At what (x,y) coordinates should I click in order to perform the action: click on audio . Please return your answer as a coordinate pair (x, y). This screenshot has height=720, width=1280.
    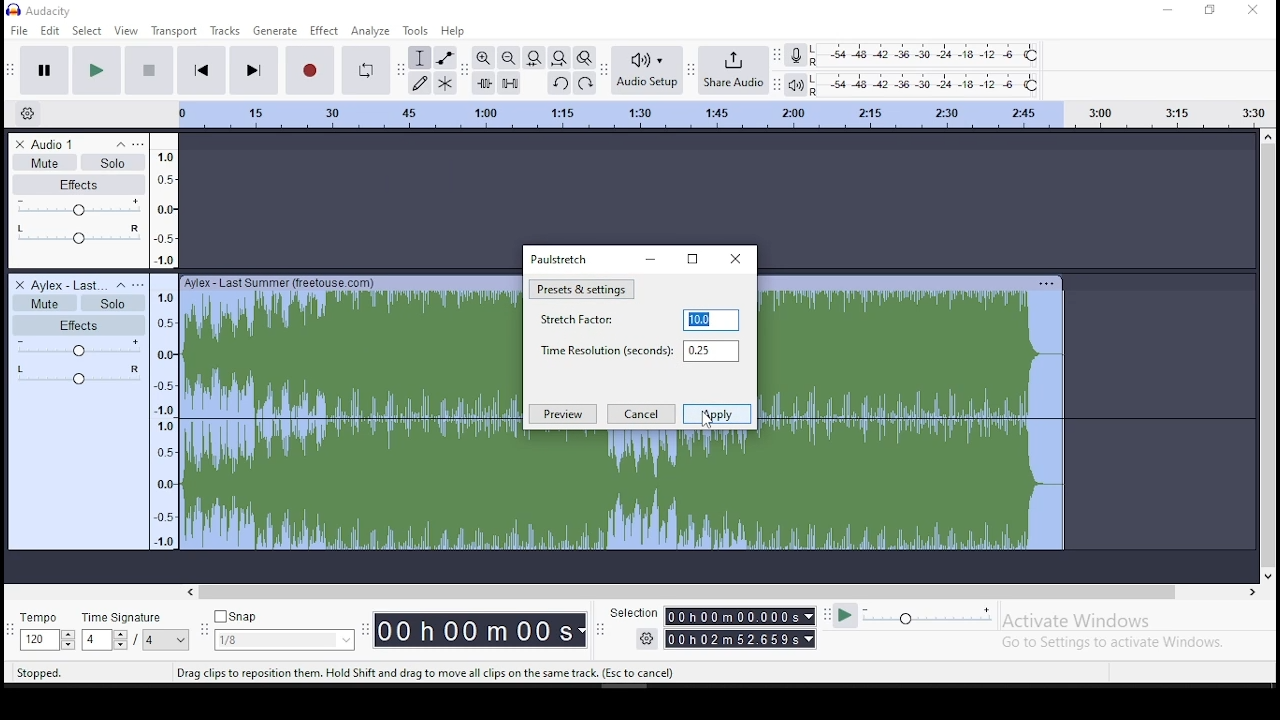
    Looking at the image, I should click on (59, 144).